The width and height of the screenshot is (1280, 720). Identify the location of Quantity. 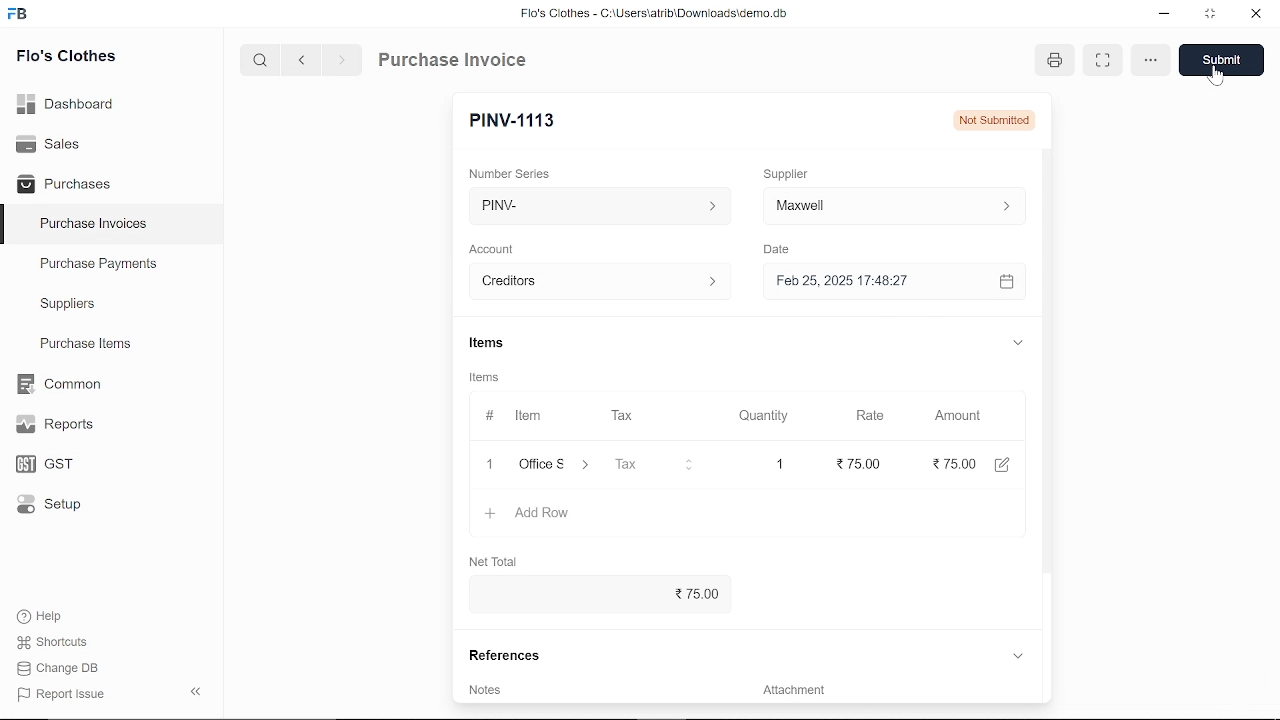
(766, 415).